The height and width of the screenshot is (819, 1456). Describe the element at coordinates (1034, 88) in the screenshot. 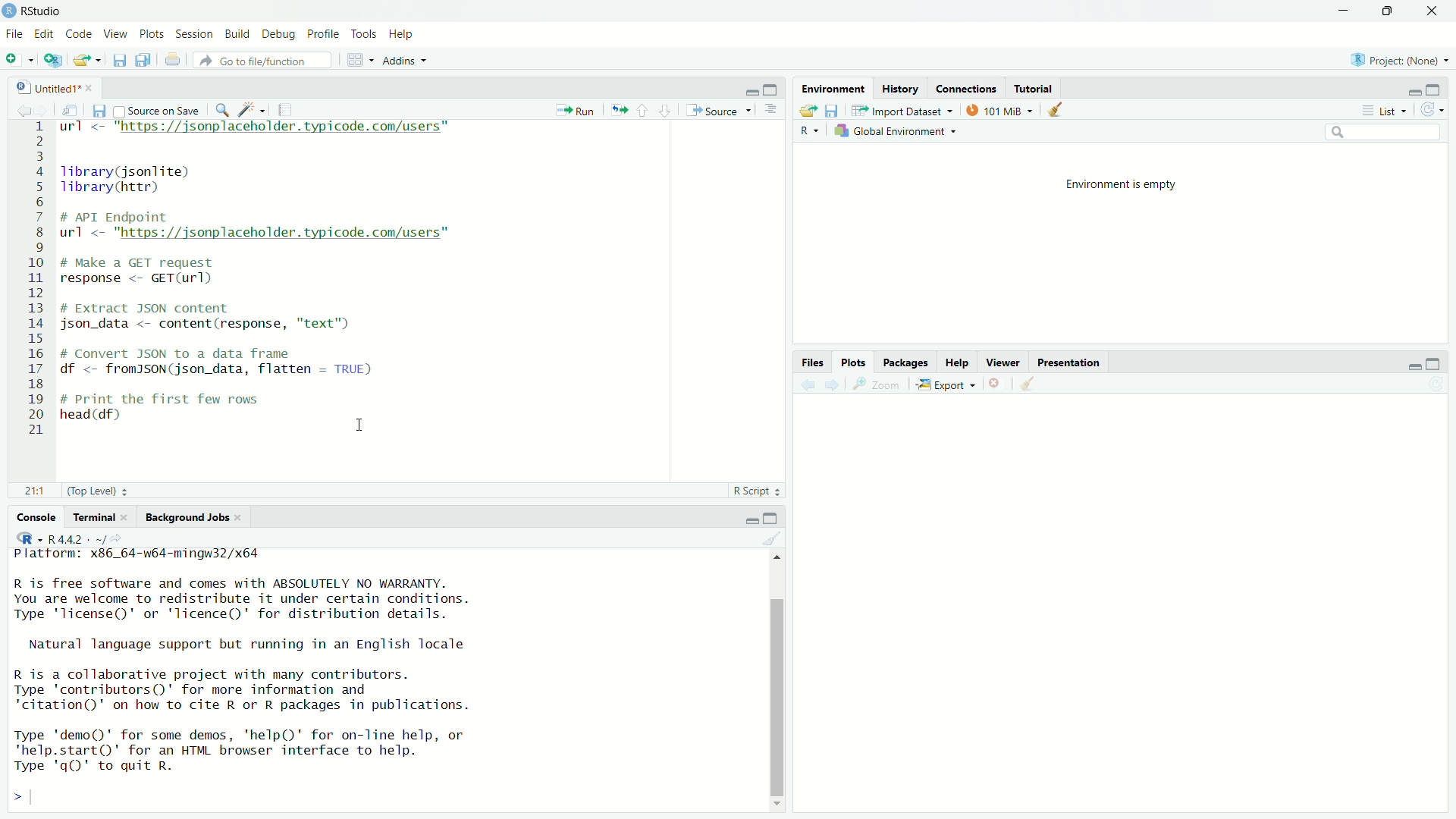

I see `Tutorial` at that location.